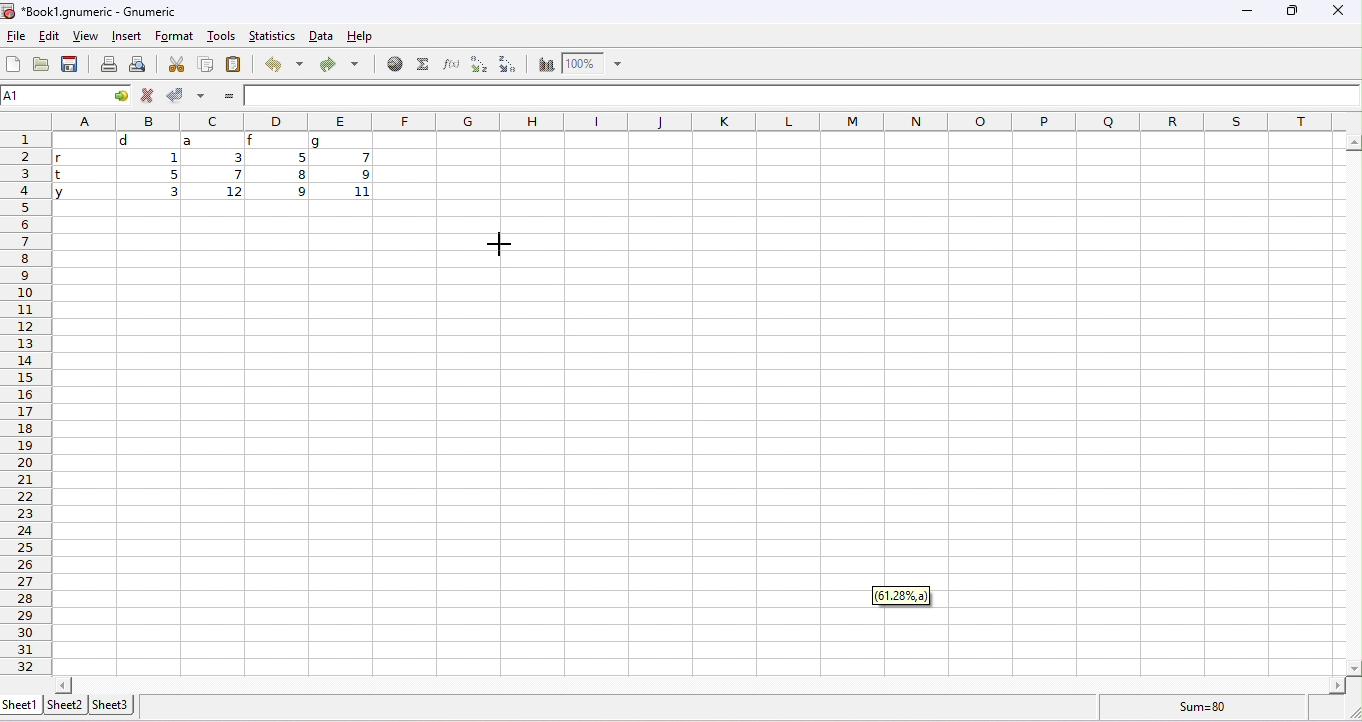  I want to click on Book1.gnumeric - Gnumeric, so click(92, 11).